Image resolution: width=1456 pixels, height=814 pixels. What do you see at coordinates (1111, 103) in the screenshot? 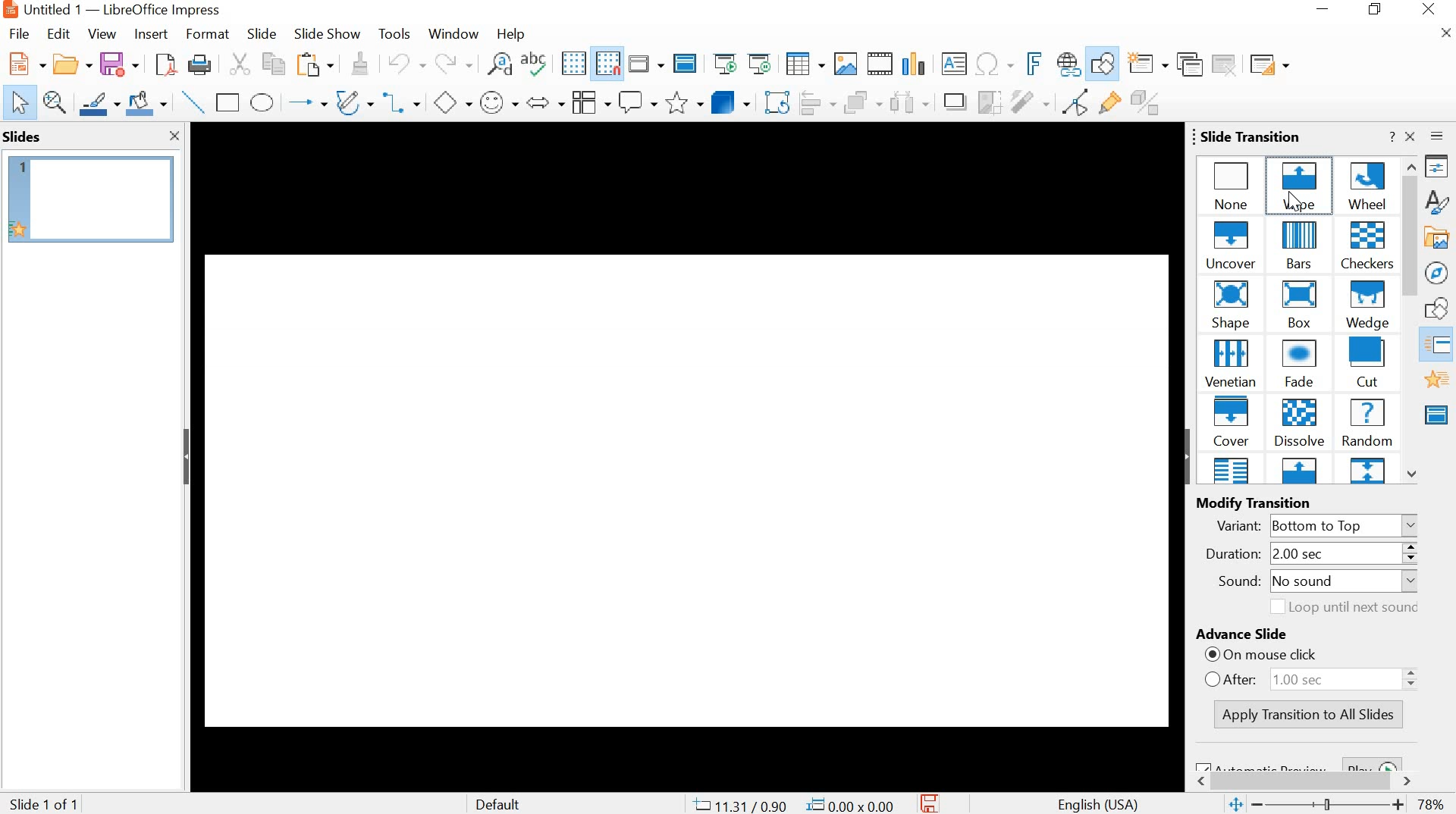
I see `Show Gluepoint Functions` at bounding box center [1111, 103].